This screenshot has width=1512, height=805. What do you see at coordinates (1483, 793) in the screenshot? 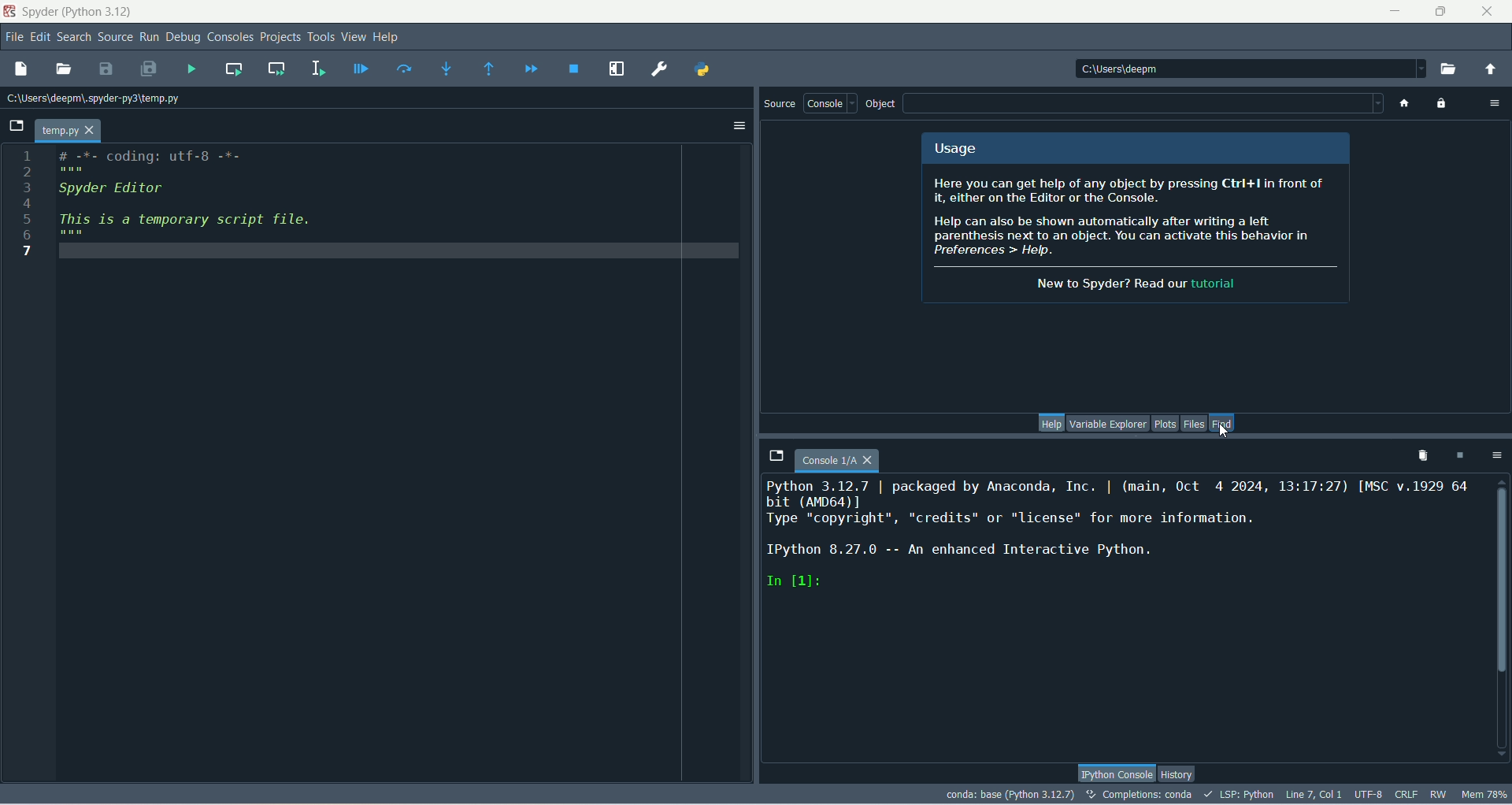
I see `Mem` at bounding box center [1483, 793].